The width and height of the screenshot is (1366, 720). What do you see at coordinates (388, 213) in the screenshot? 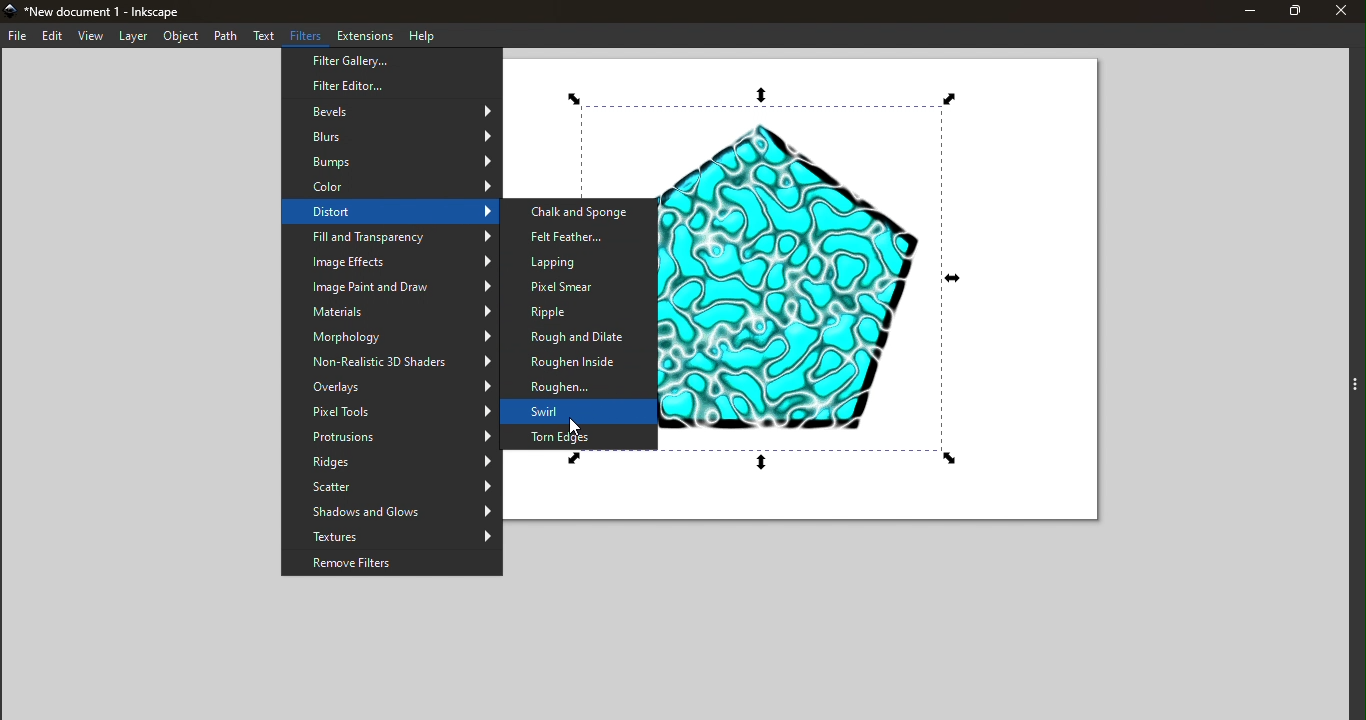
I see `Distort` at bounding box center [388, 213].